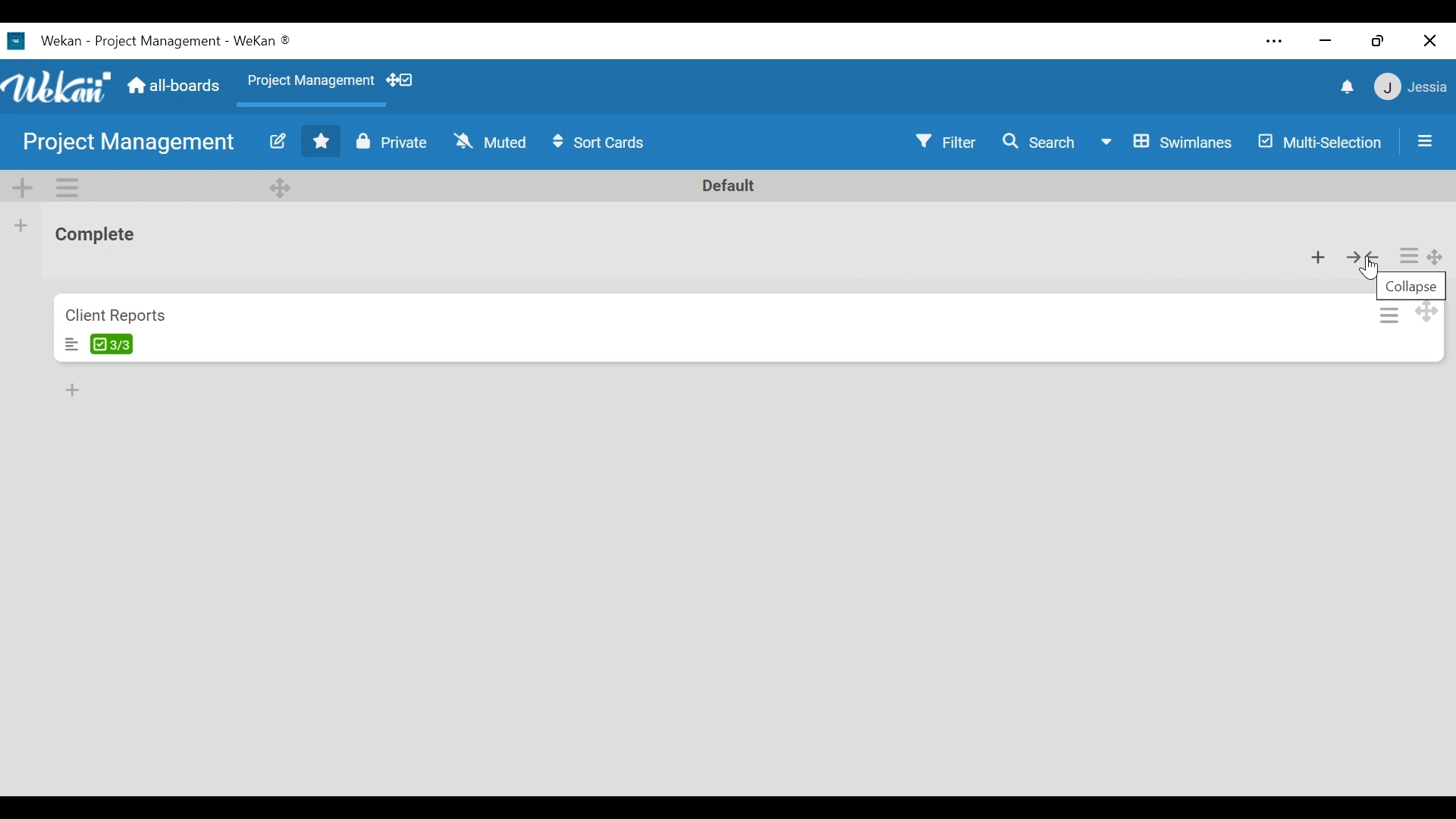 This screenshot has width=1456, height=819. I want to click on Restore, so click(1377, 39).